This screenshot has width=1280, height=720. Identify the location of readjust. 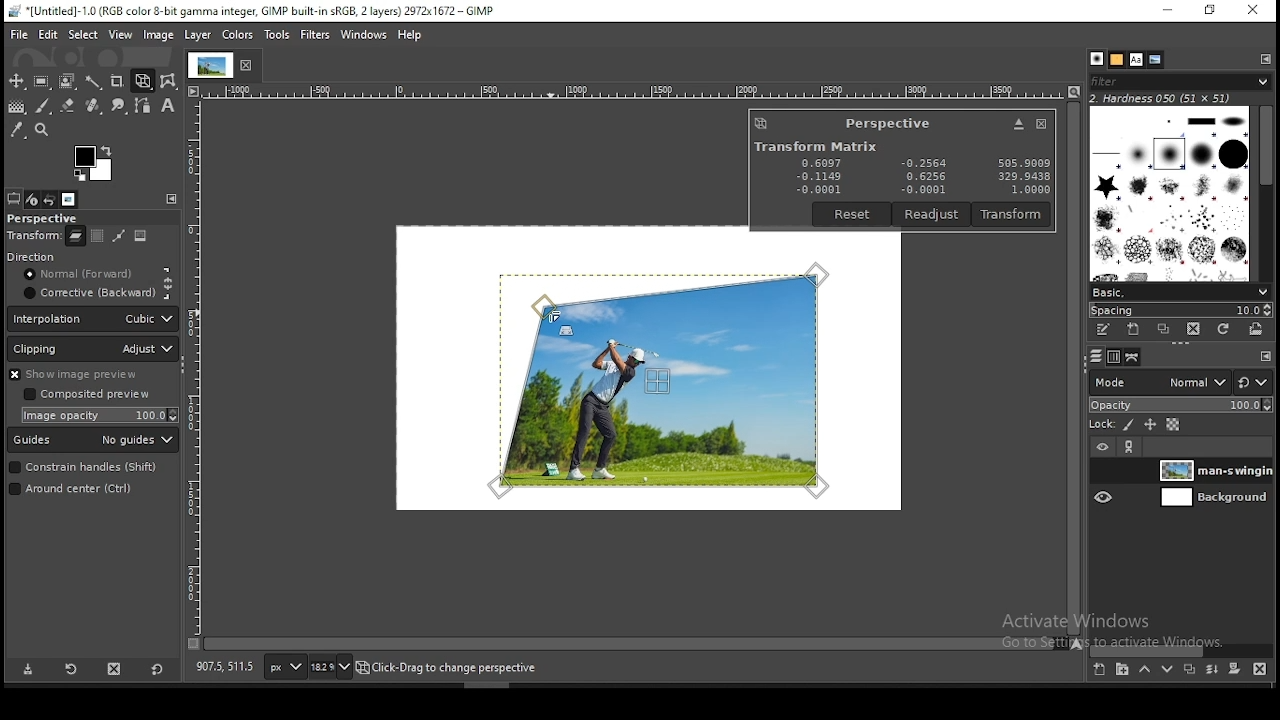
(933, 214).